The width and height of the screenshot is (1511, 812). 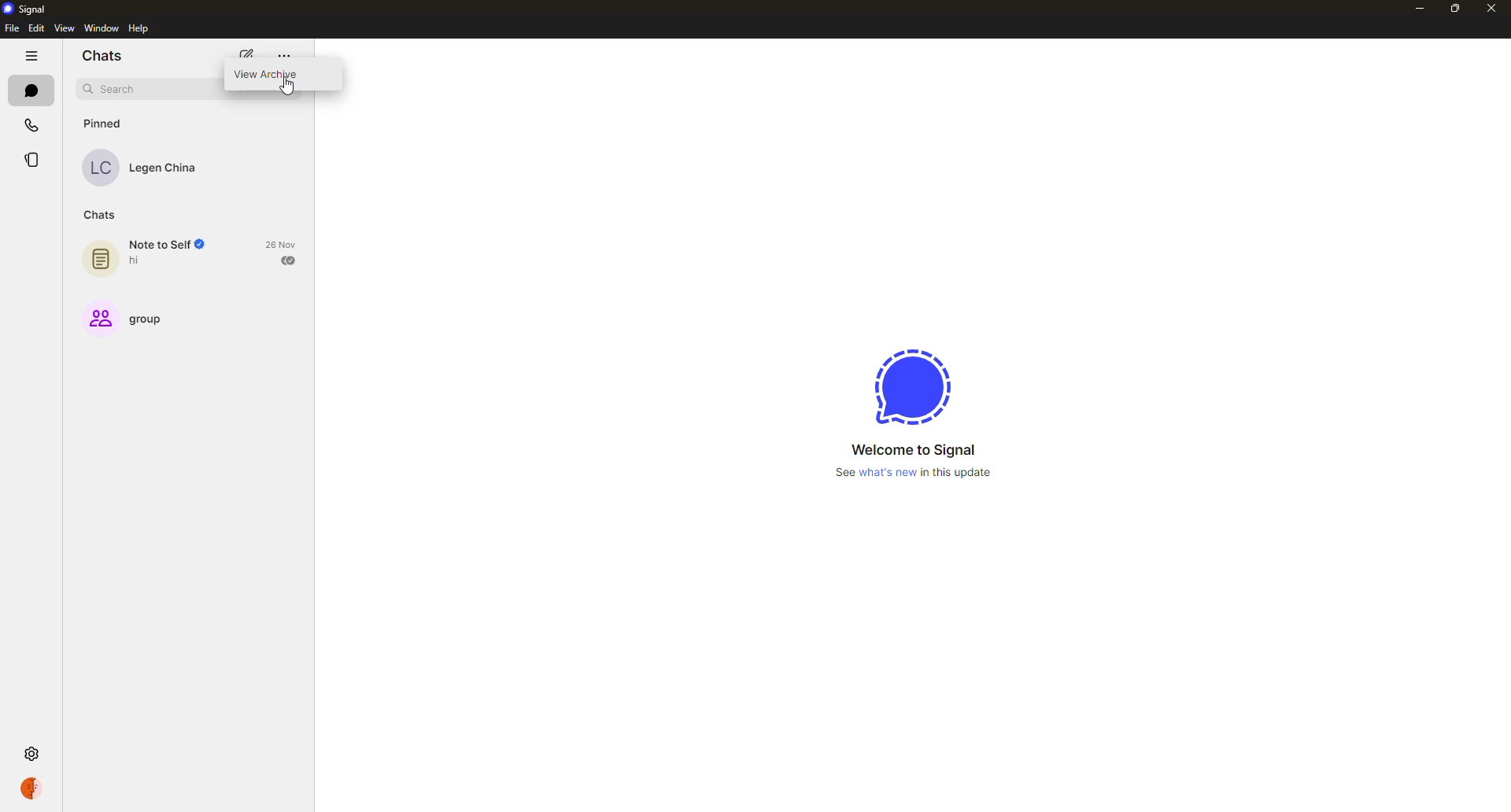 I want to click on minimize, so click(x=1420, y=9).